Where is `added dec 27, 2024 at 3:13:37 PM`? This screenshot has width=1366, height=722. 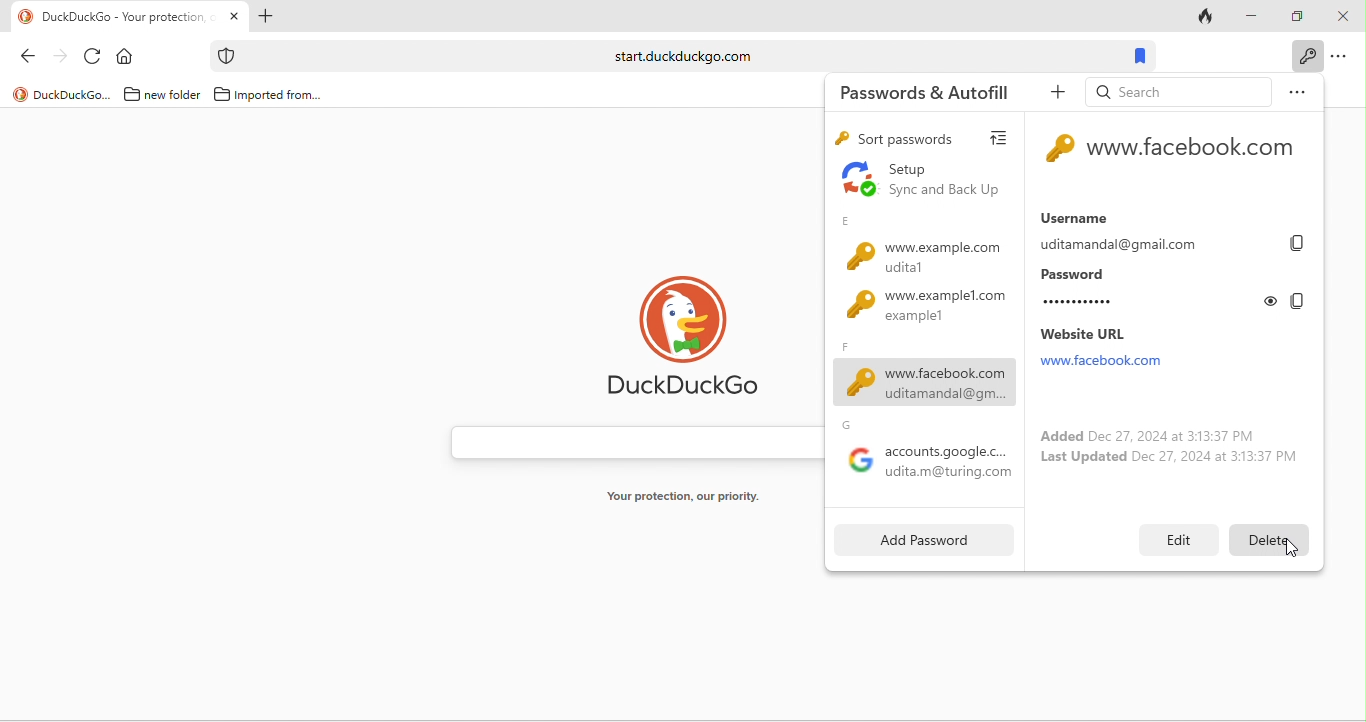
added dec 27, 2024 at 3:13:37 PM is located at coordinates (1142, 434).